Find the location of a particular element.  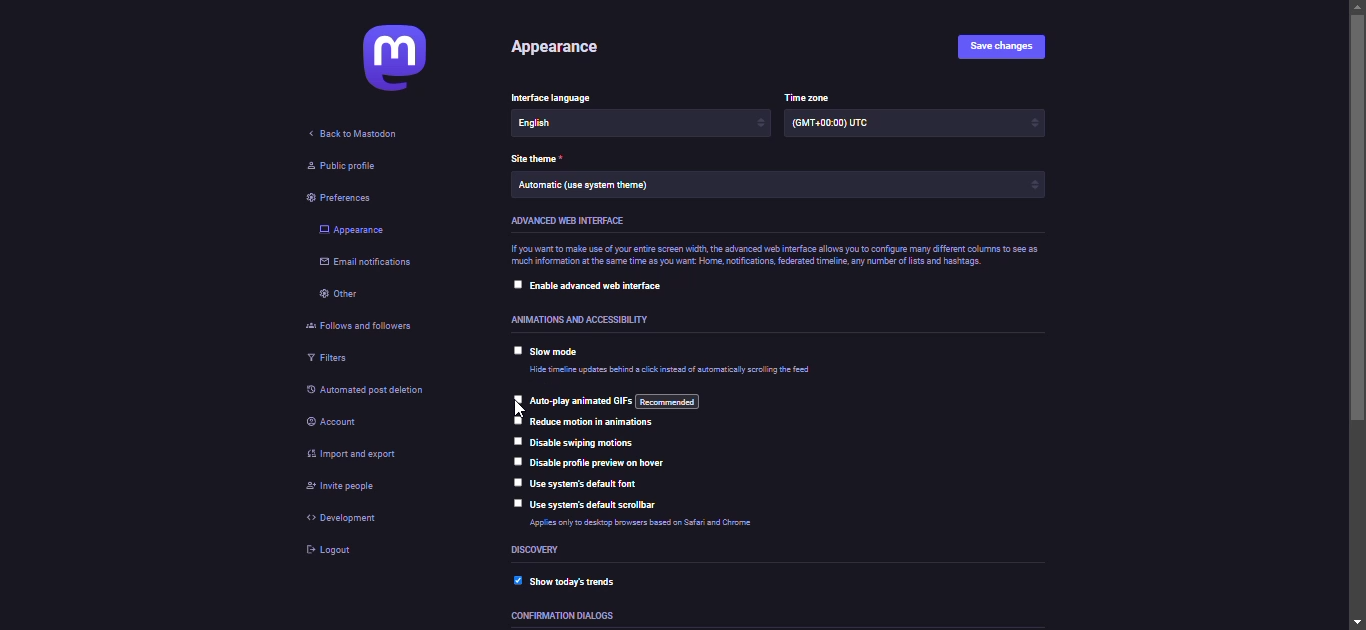

use system's default scrollbar is located at coordinates (588, 504).